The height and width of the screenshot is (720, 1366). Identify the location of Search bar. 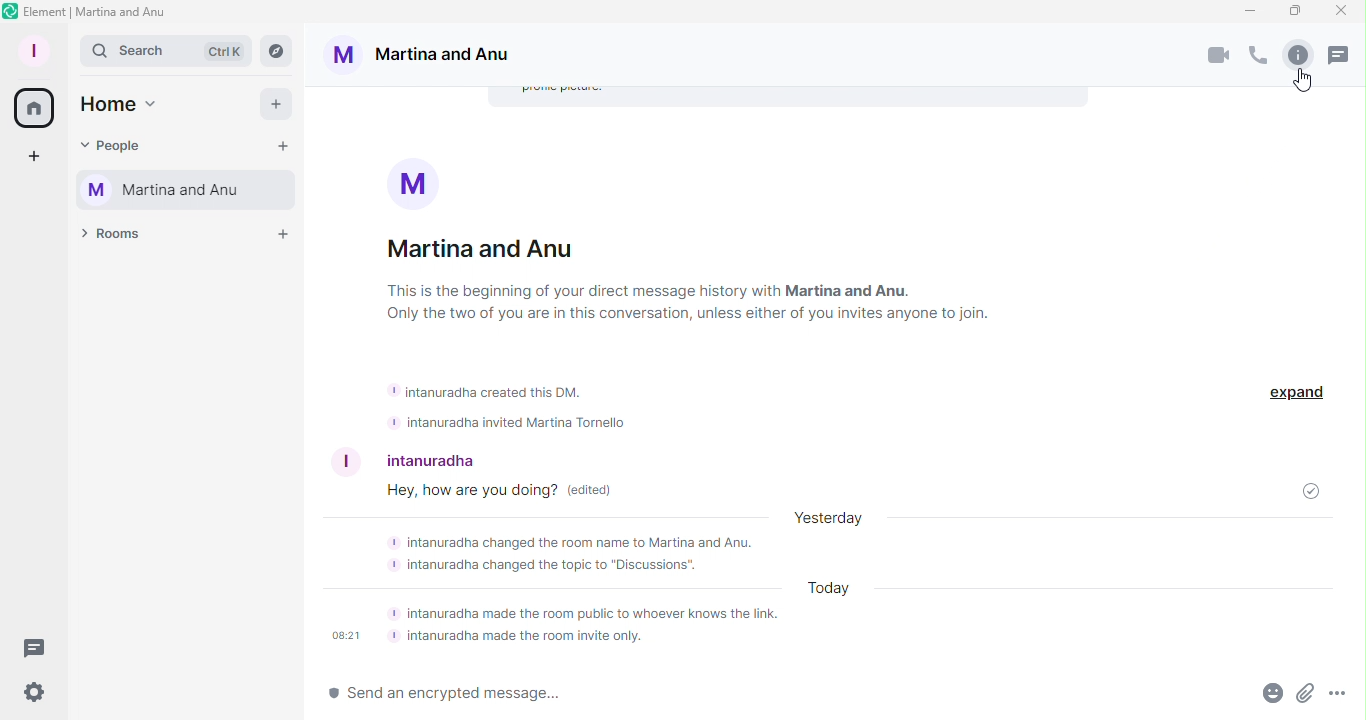
(167, 50).